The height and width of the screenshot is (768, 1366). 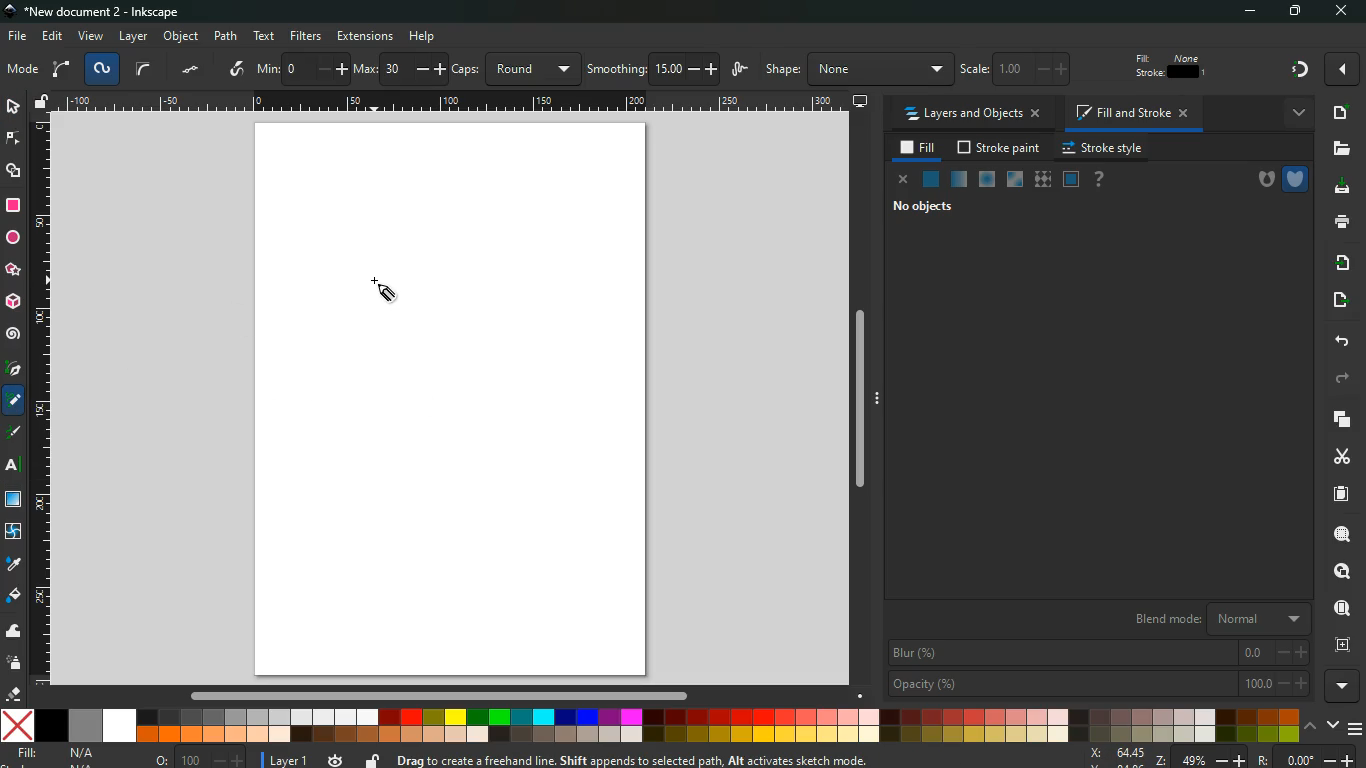 What do you see at coordinates (58, 754) in the screenshot?
I see `fill` at bounding box center [58, 754].